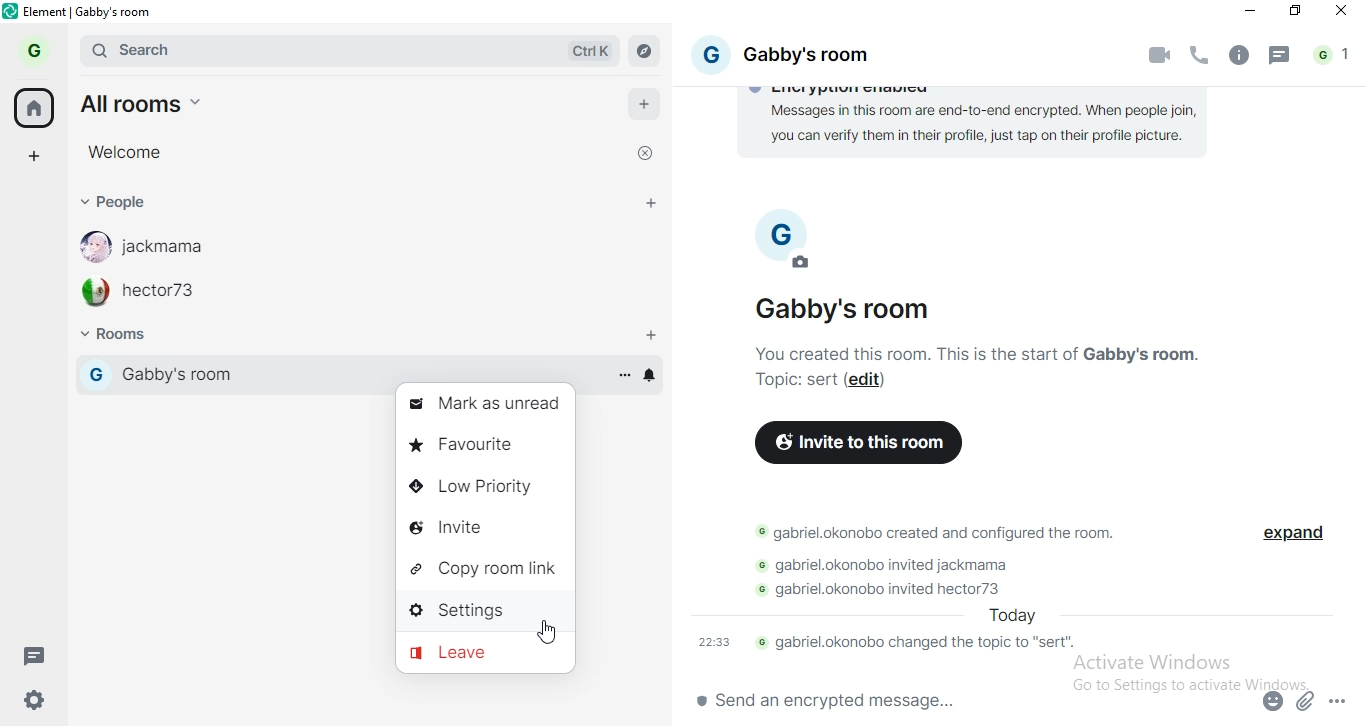 This screenshot has height=726, width=1366. Describe the element at coordinates (484, 486) in the screenshot. I see `low priority` at that location.